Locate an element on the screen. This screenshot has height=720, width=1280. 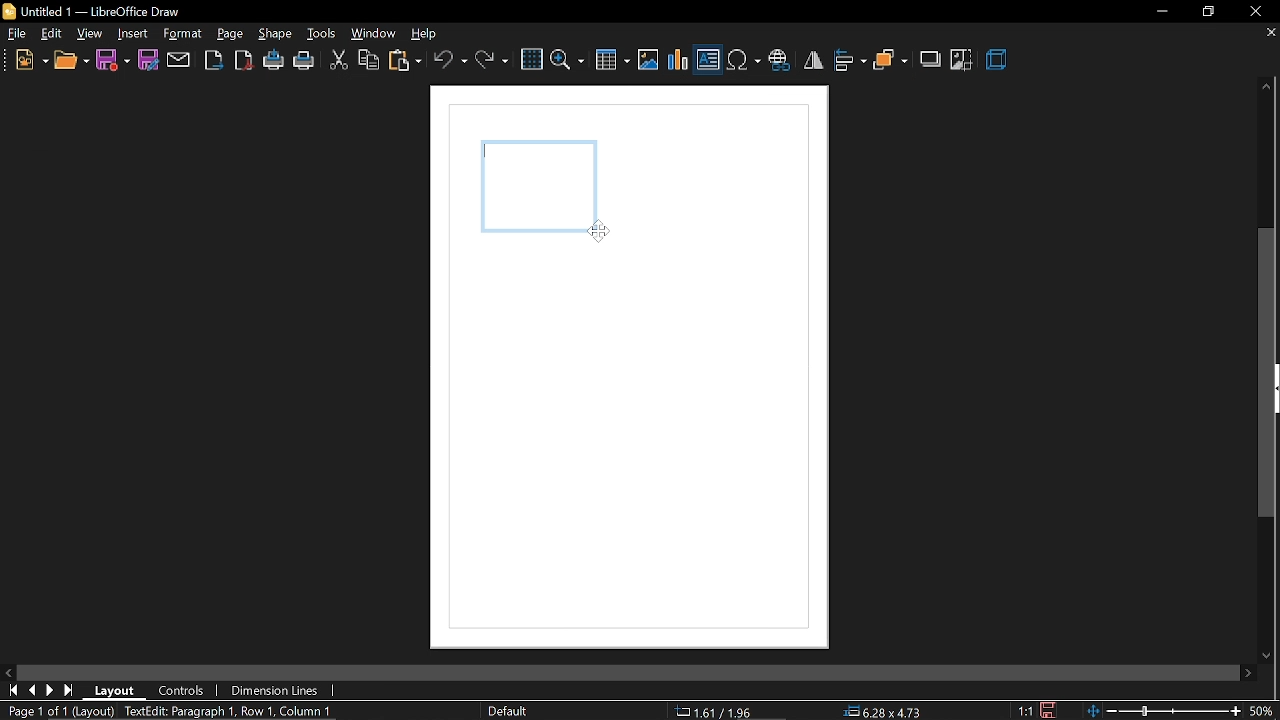
copy is located at coordinates (369, 62).